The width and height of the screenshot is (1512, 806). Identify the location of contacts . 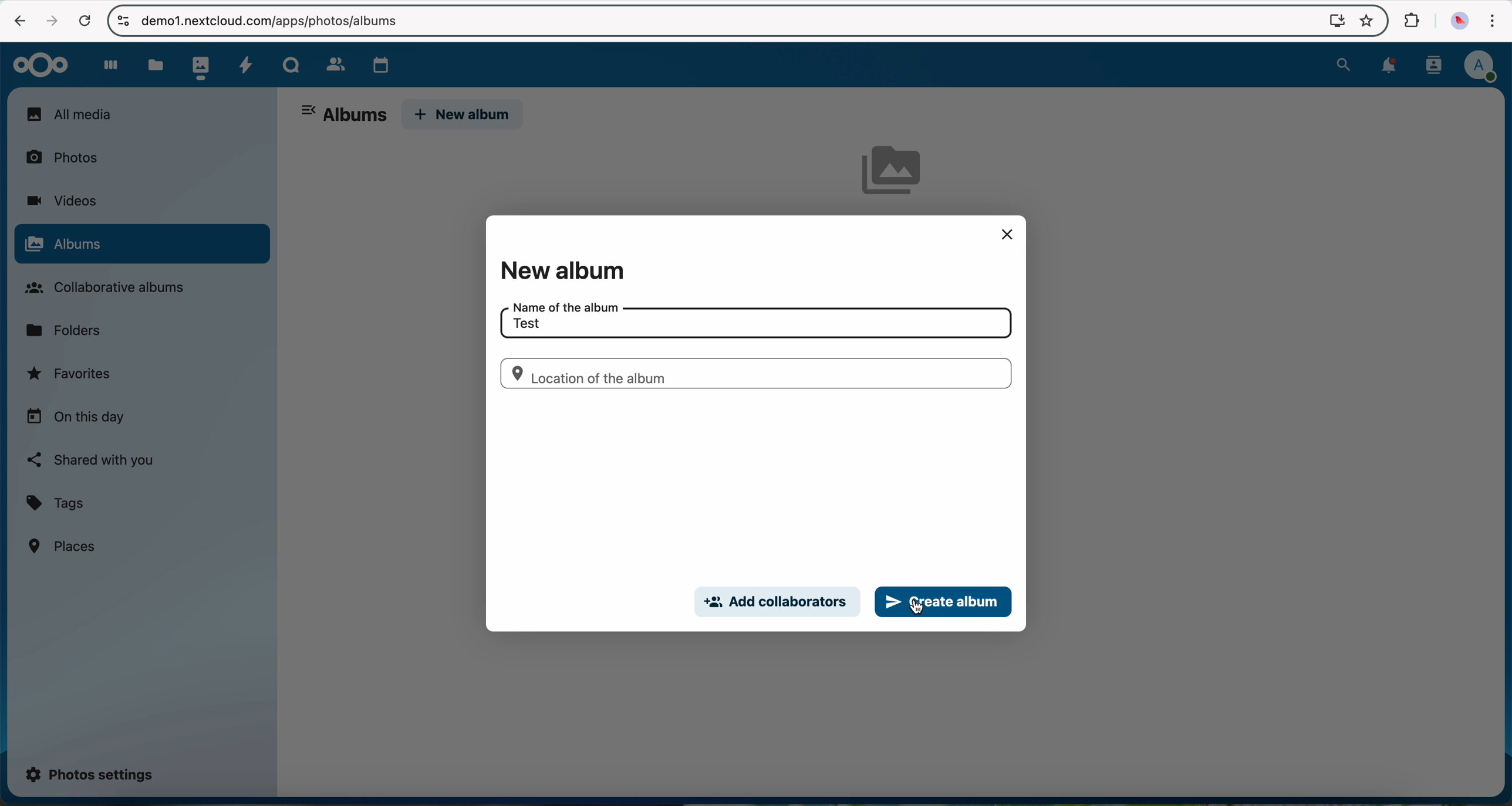
(331, 62).